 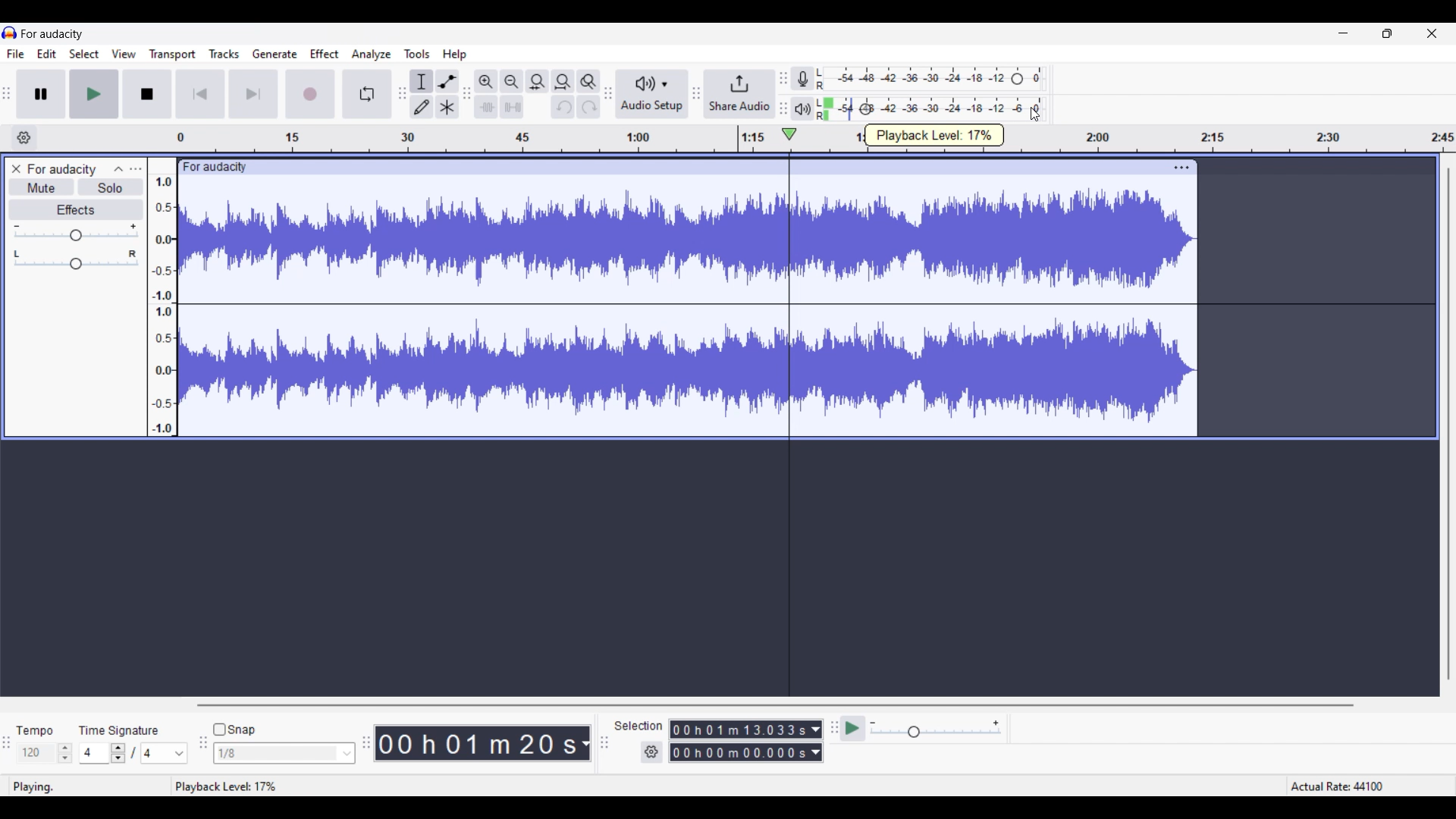 What do you see at coordinates (200, 94) in the screenshot?
I see `Skip/Select to start` at bounding box center [200, 94].